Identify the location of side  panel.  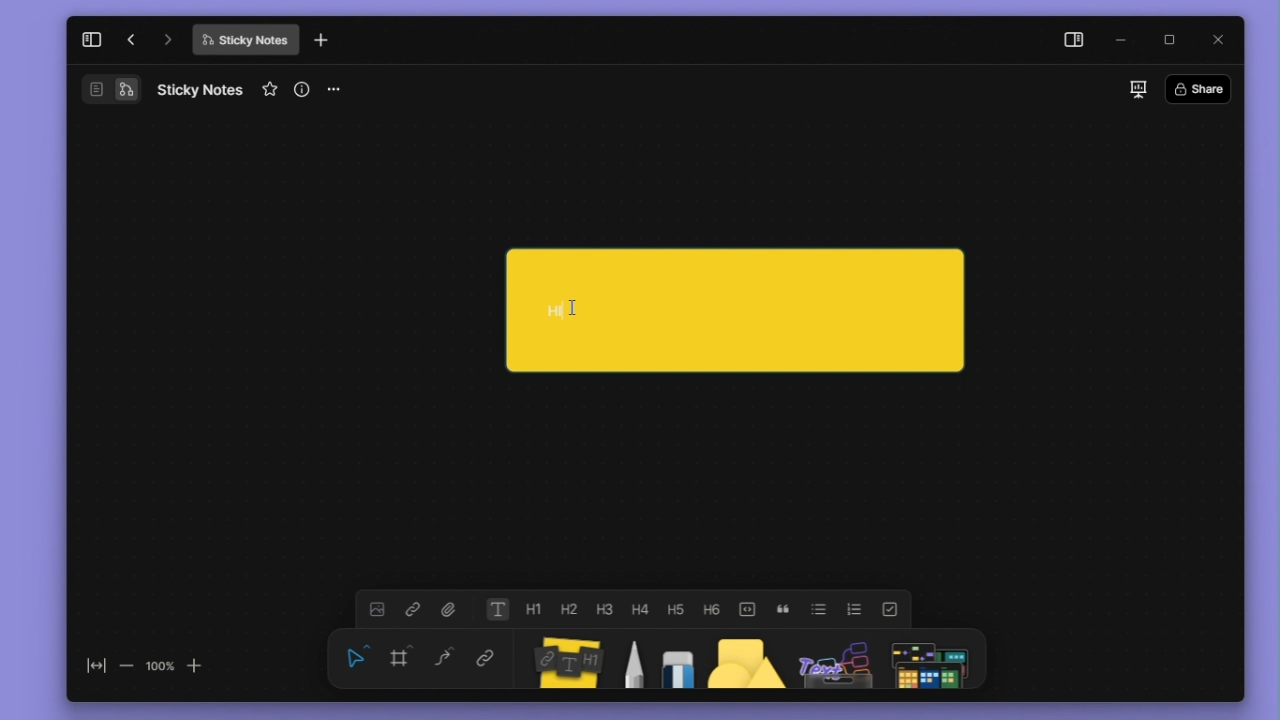
(1070, 40).